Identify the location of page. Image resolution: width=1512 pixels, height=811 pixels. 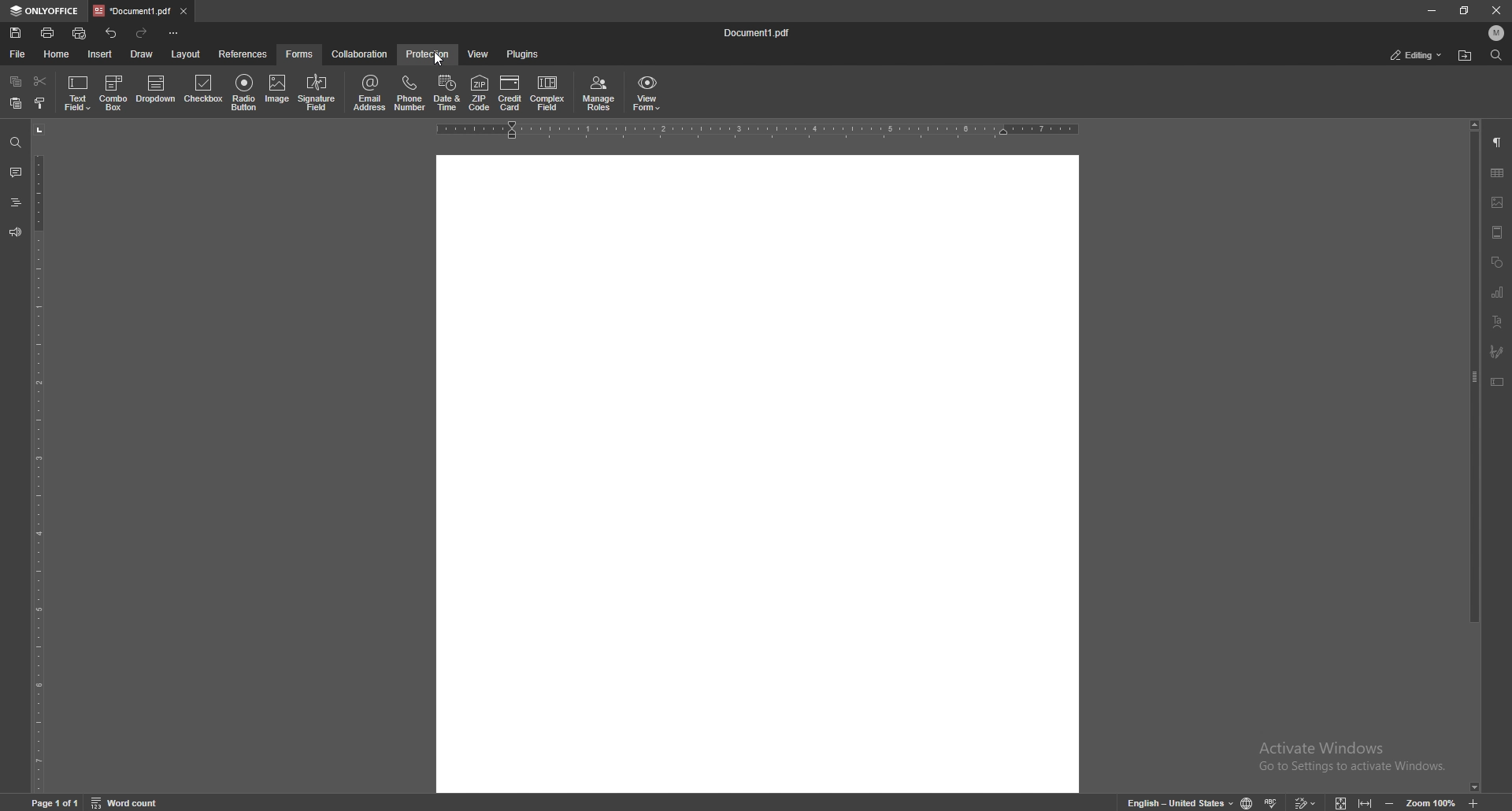
(57, 802).